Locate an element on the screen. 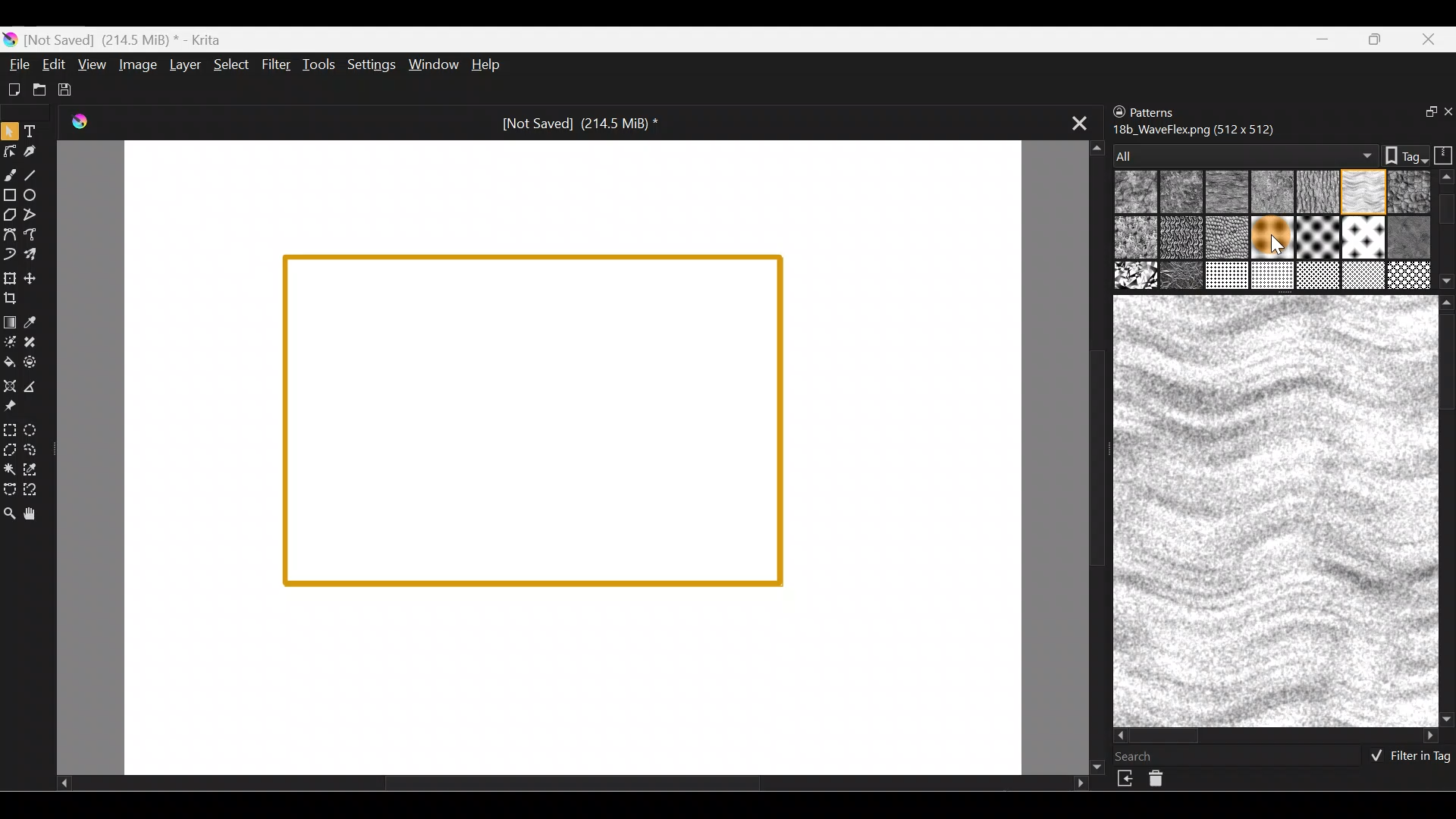 Image resolution: width=1456 pixels, height=819 pixels. Import resource is located at coordinates (1127, 779).